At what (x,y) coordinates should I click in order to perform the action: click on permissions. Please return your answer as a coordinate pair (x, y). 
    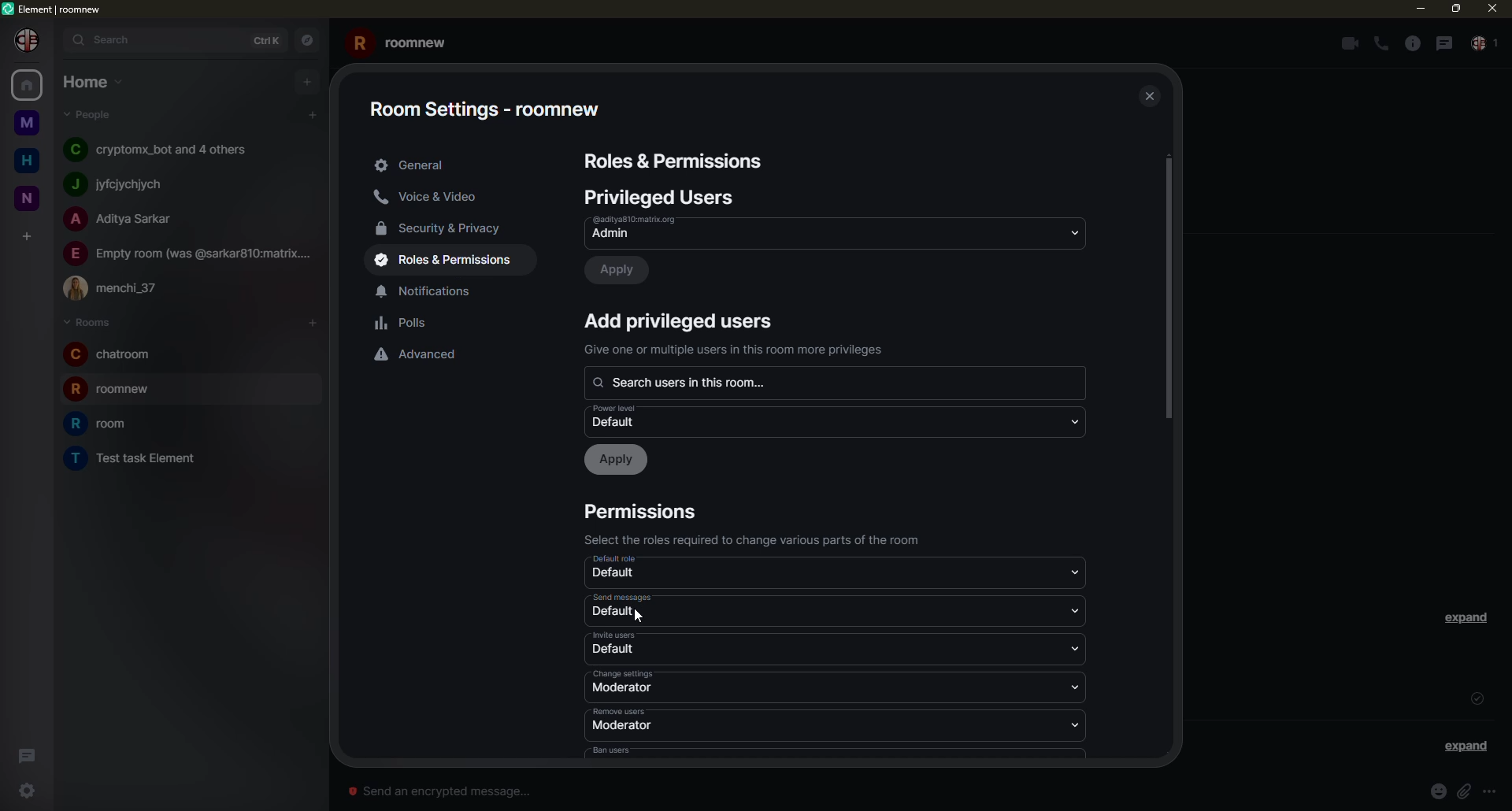
    Looking at the image, I should click on (645, 512).